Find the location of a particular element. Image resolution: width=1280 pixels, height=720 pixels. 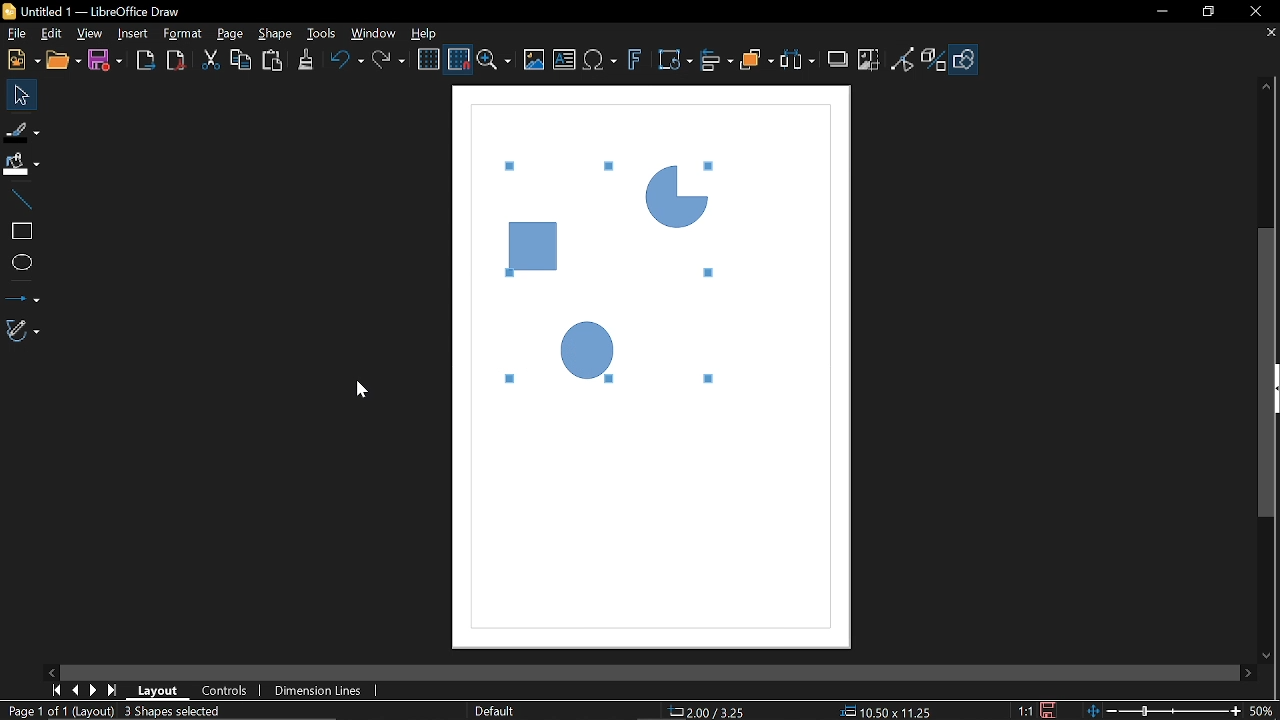

Fill color is located at coordinates (21, 163).